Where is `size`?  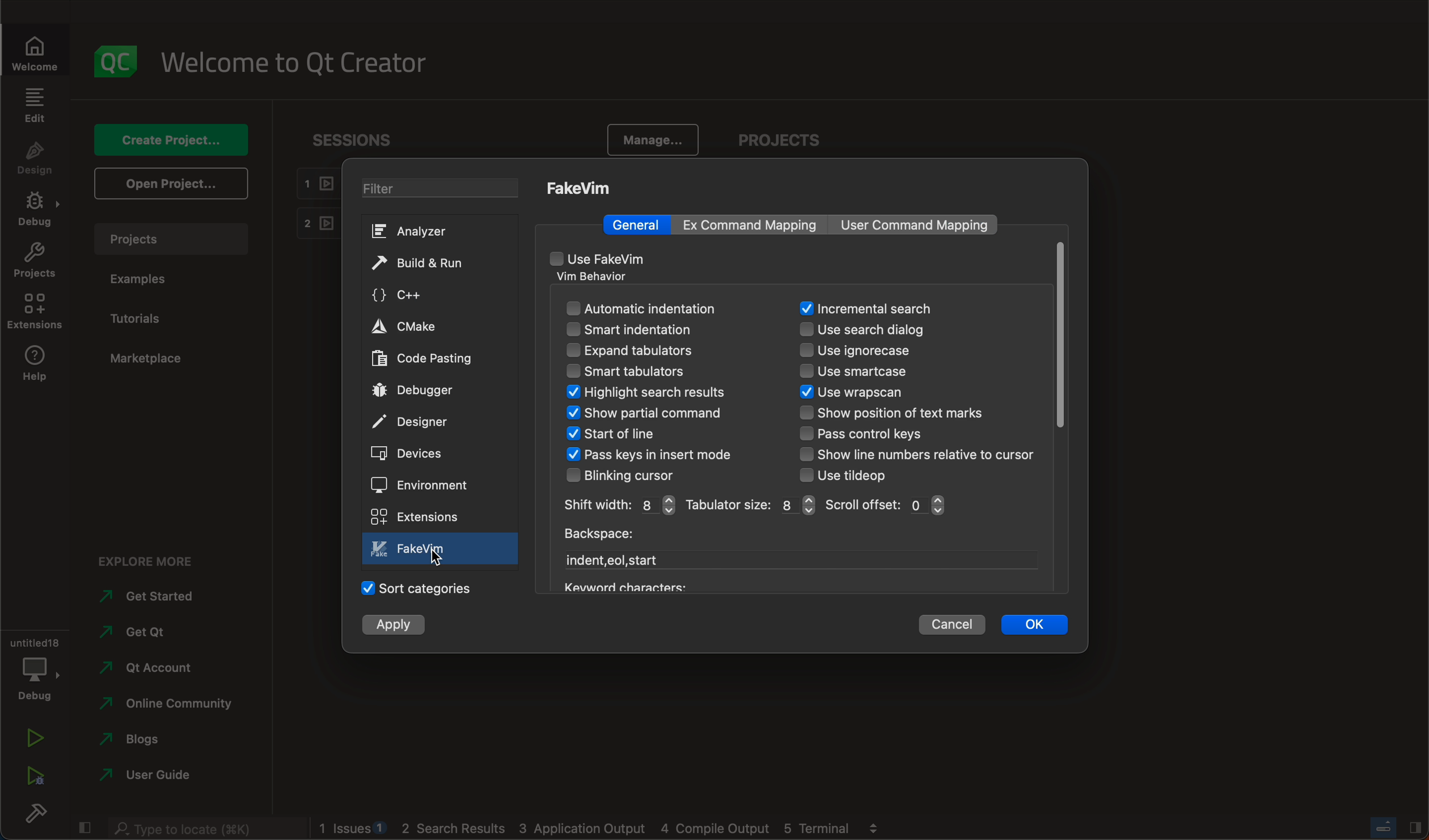 size is located at coordinates (750, 505).